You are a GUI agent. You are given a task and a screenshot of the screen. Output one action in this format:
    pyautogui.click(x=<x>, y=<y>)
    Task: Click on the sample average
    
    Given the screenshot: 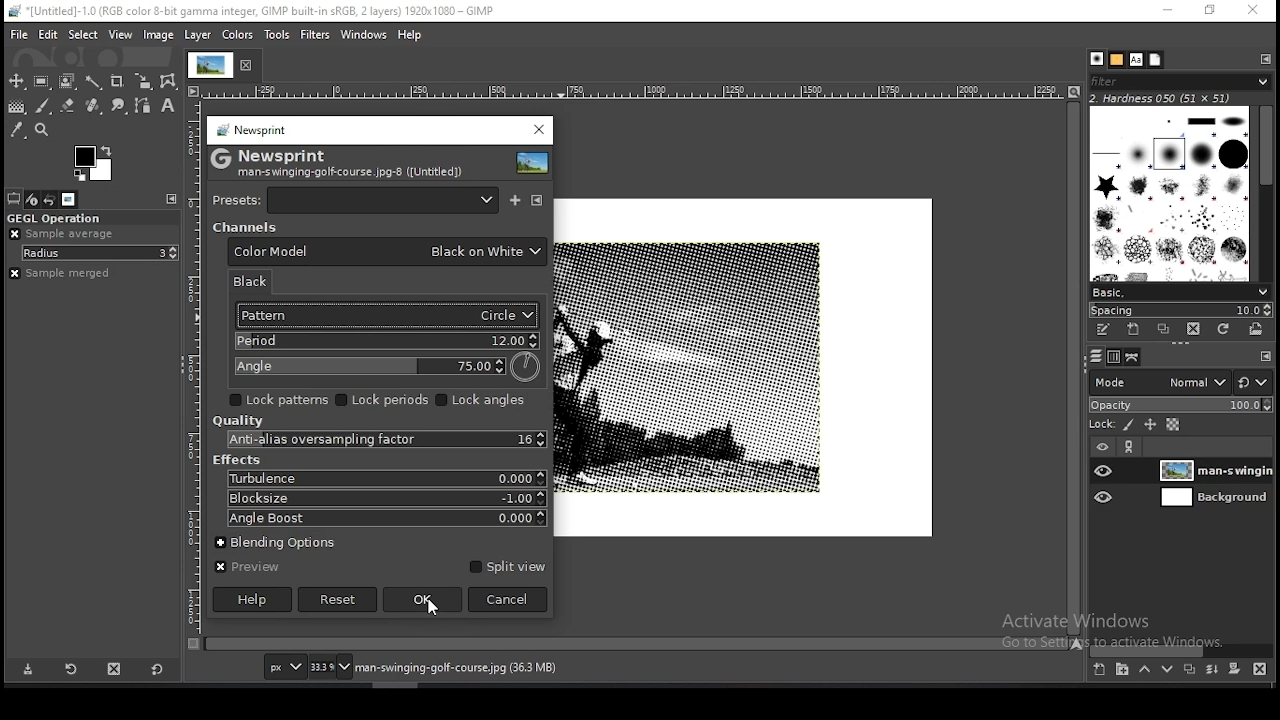 What is the action you would take?
    pyautogui.click(x=65, y=234)
    